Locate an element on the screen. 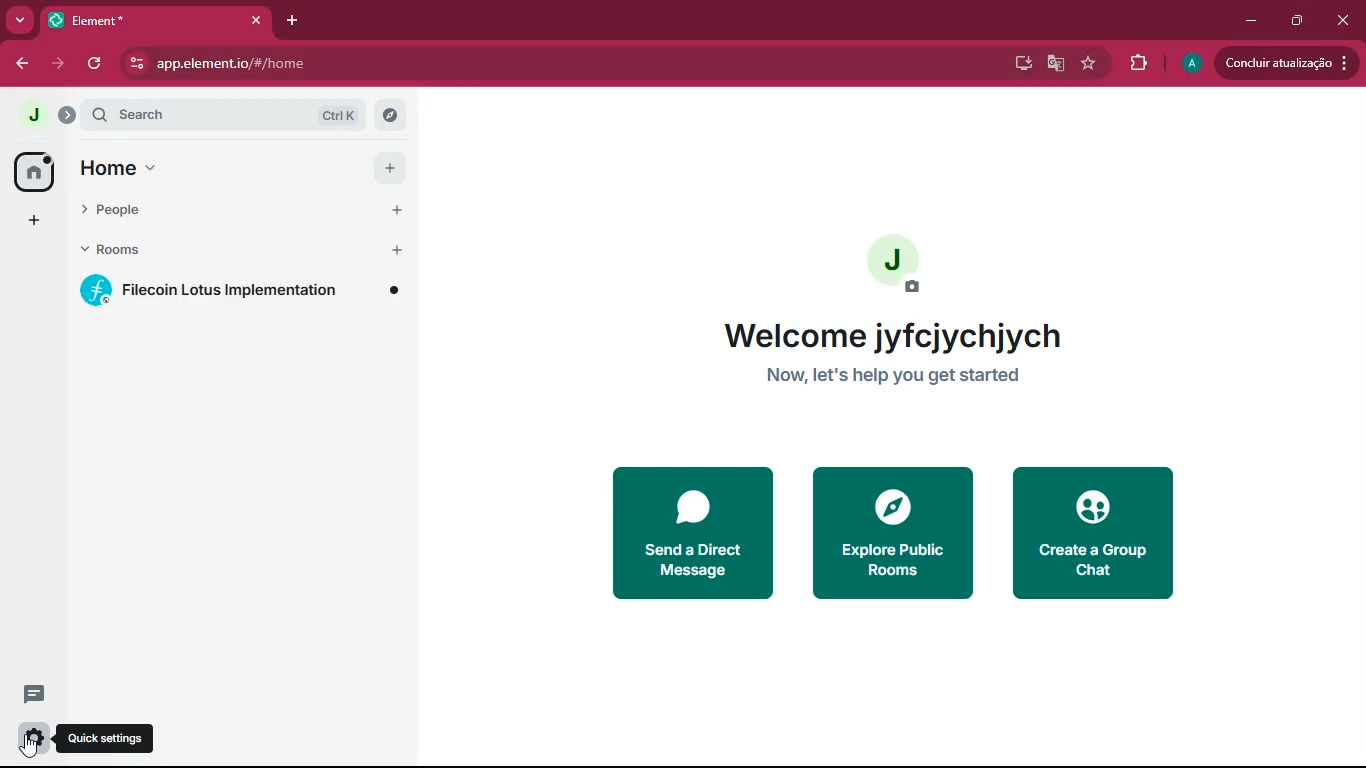  forward is located at coordinates (56, 63).